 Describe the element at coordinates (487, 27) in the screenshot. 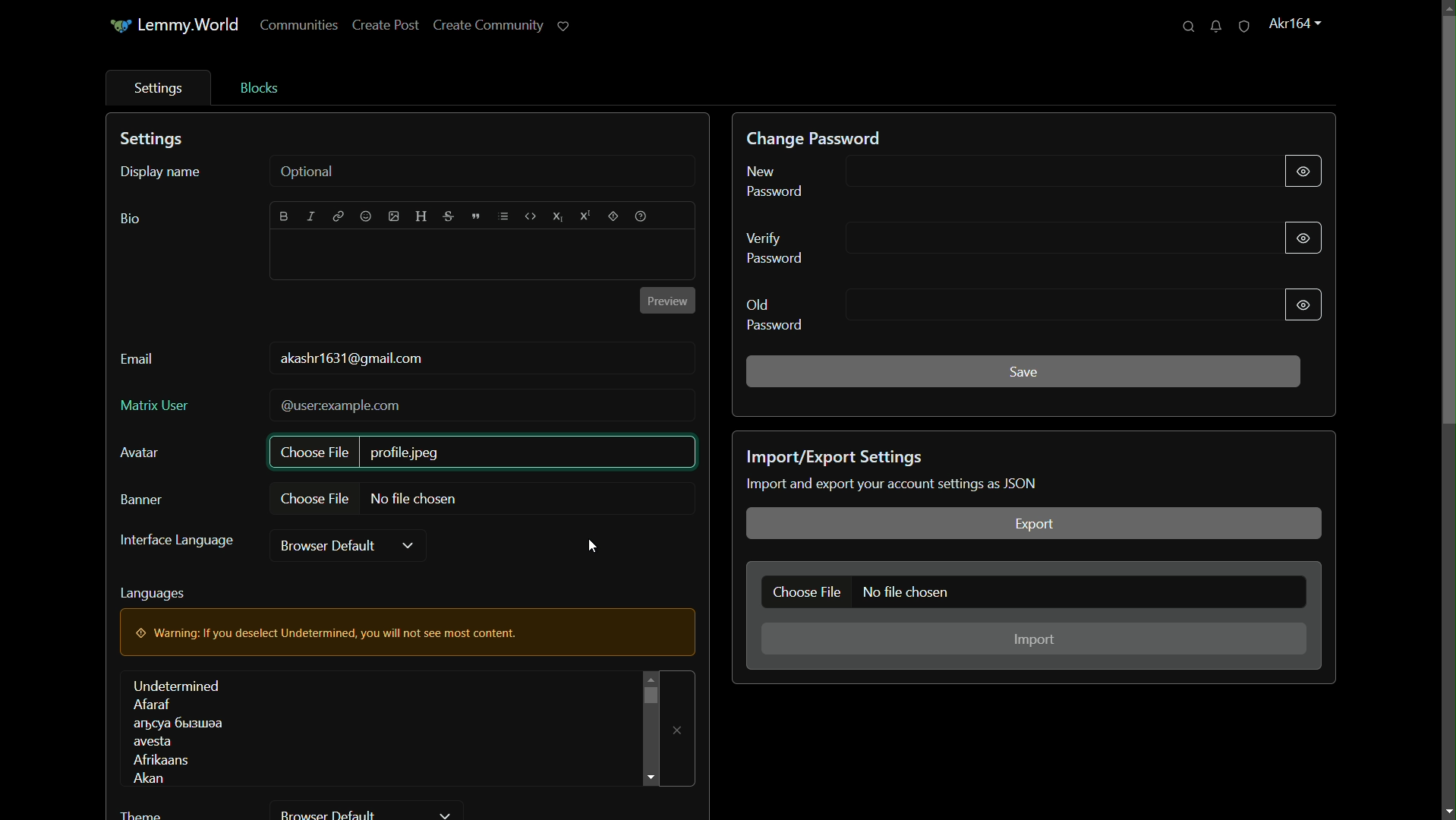

I see `create community` at that location.